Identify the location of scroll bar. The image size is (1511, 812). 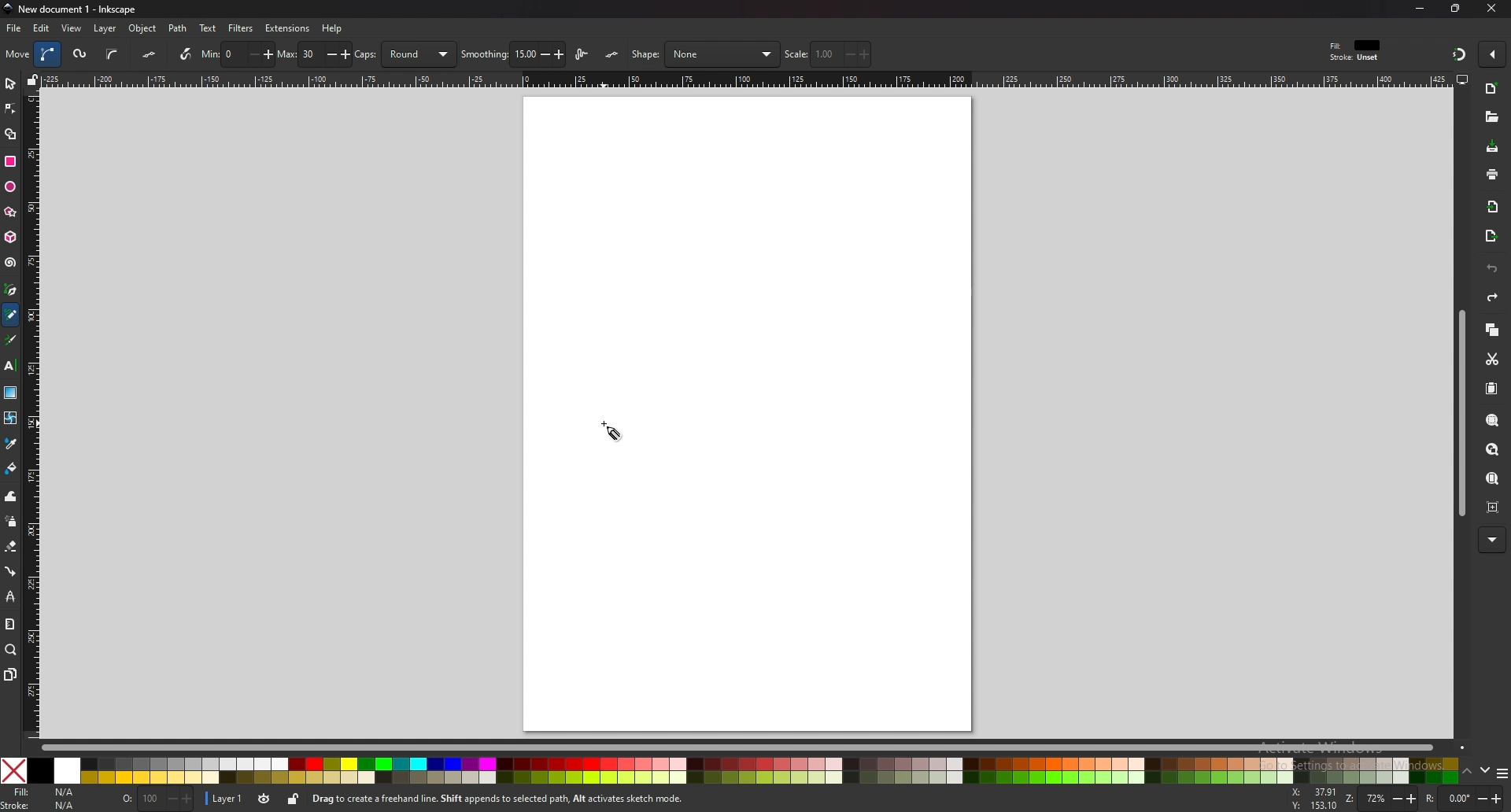
(1461, 414).